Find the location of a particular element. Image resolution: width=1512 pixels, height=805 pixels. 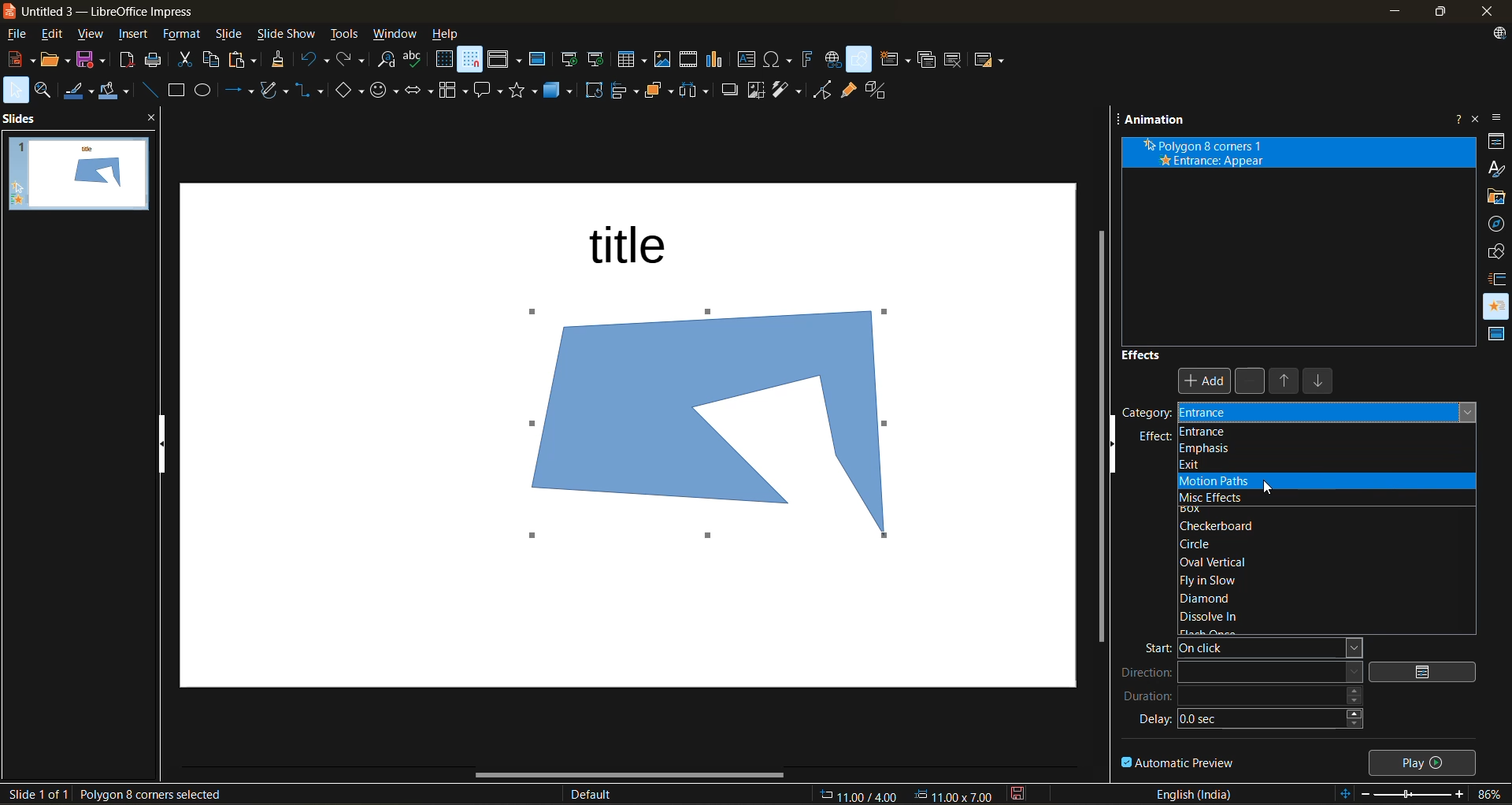

toggle extrusion is located at coordinates (876, 91).